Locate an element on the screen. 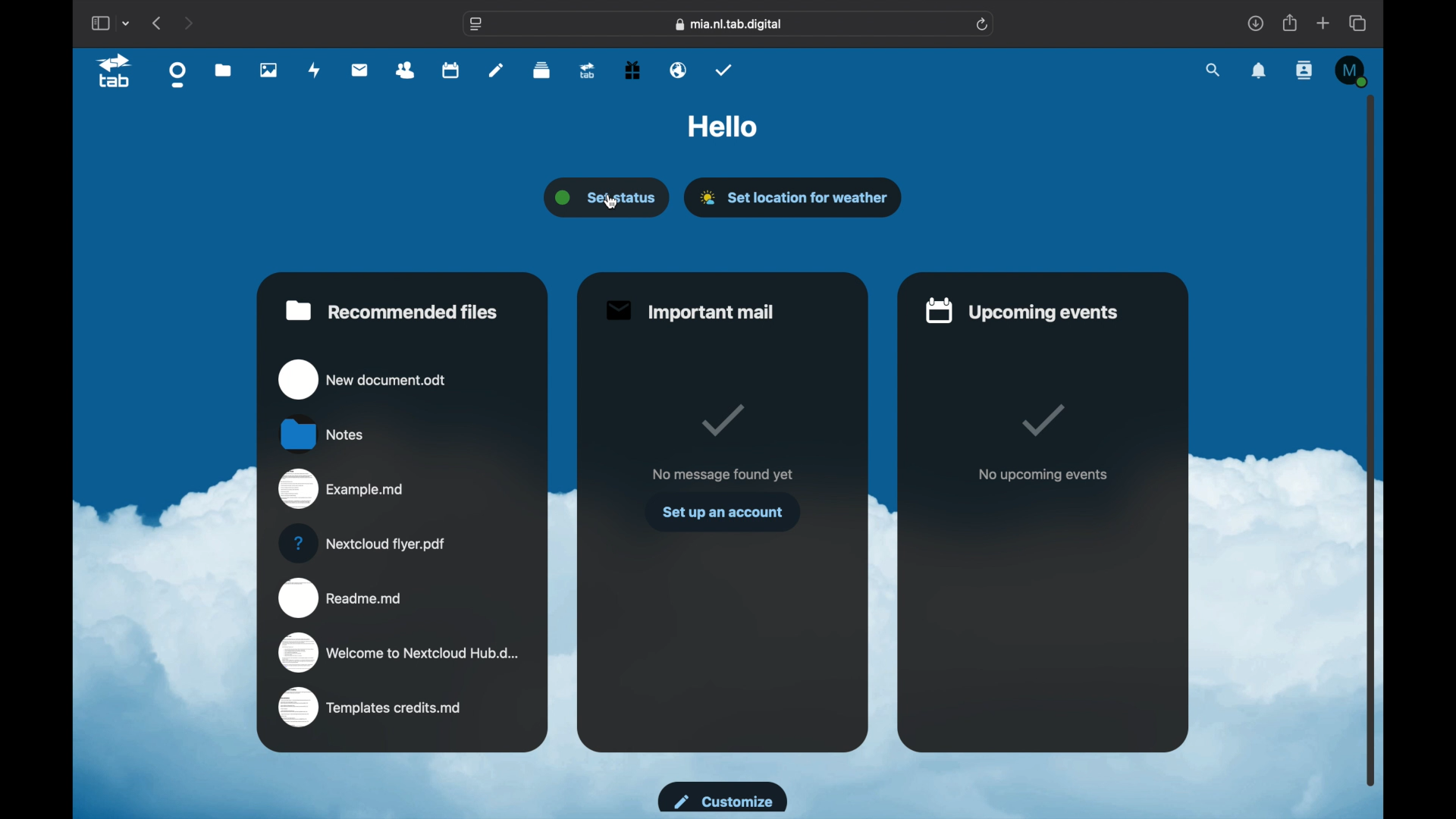 The width and height of the screenshot is (1456, 819). tasks is located at coordinates (723, 68).